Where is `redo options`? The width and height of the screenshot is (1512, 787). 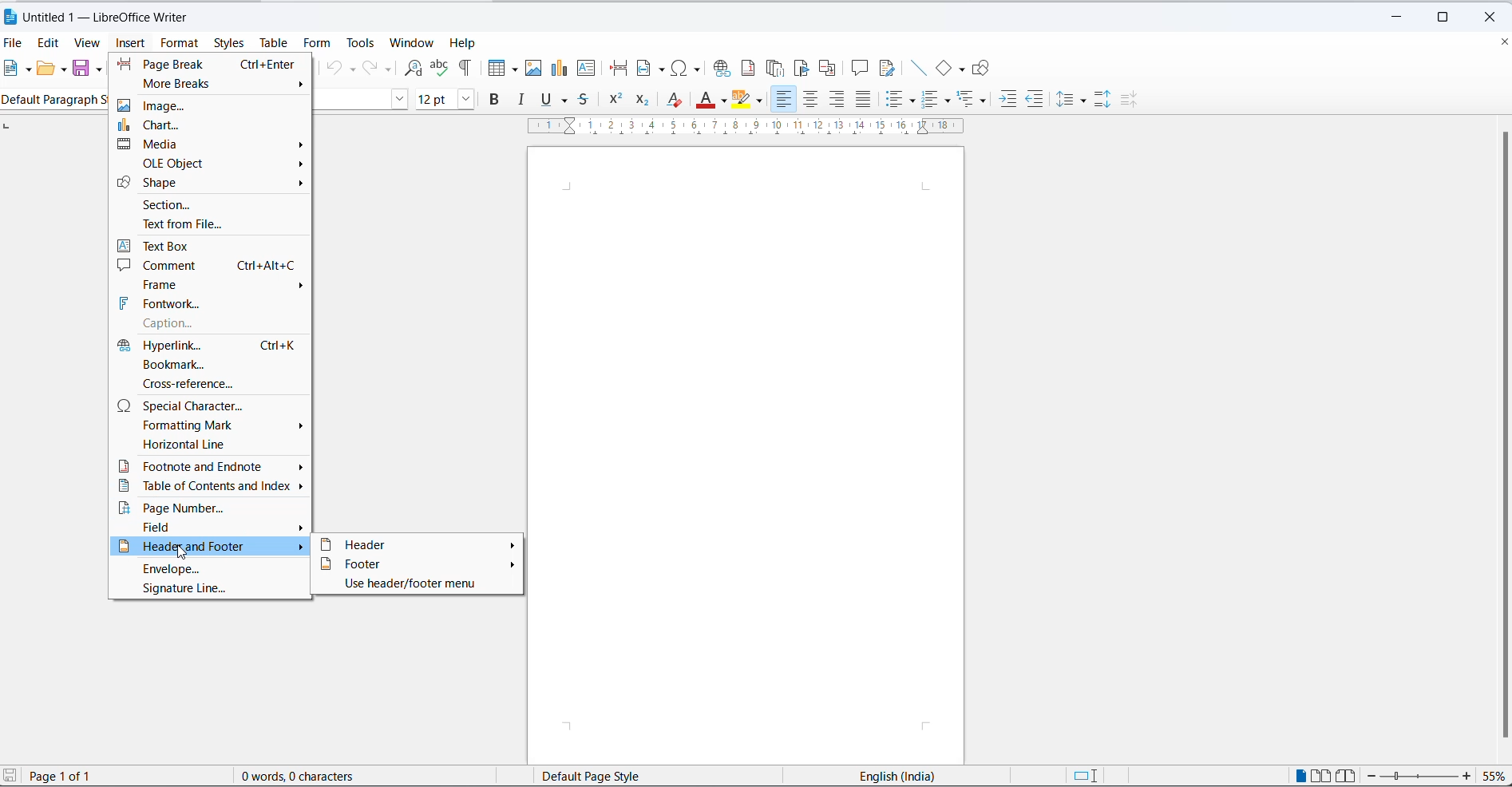
redo options is located at coordinates (389, 69).